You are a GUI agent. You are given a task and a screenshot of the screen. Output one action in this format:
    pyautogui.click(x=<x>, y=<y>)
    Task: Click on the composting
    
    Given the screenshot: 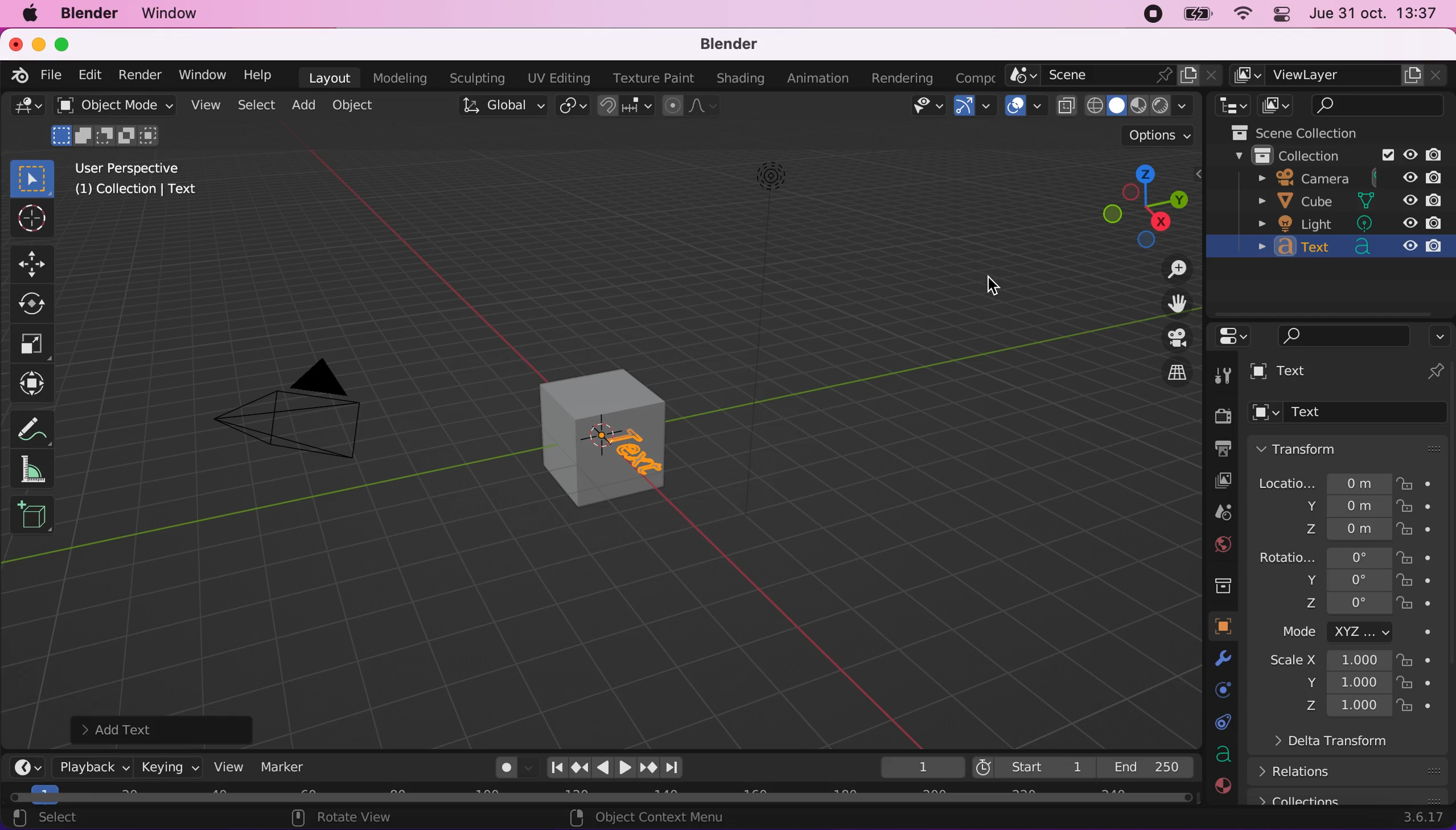 What is the action you would take?
    pyautogui.click(x=977, y=76)
    